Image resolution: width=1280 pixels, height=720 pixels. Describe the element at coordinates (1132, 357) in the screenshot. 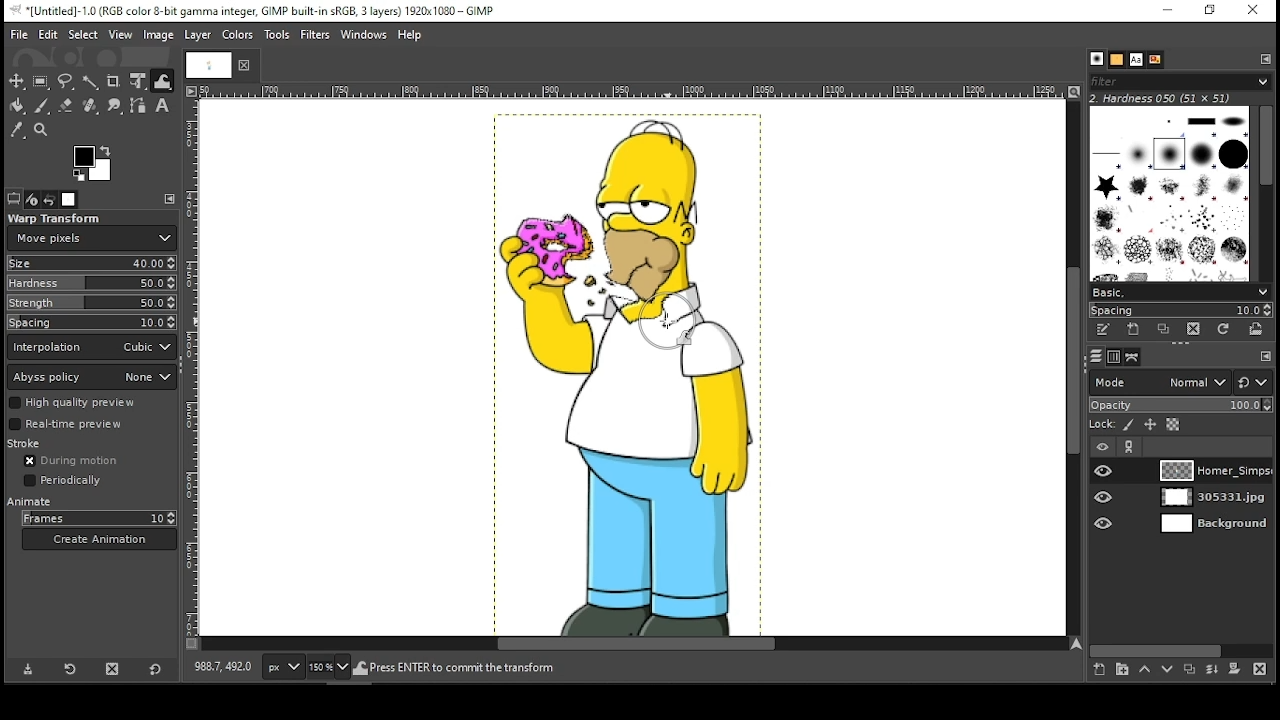

I see `paths` at that location.